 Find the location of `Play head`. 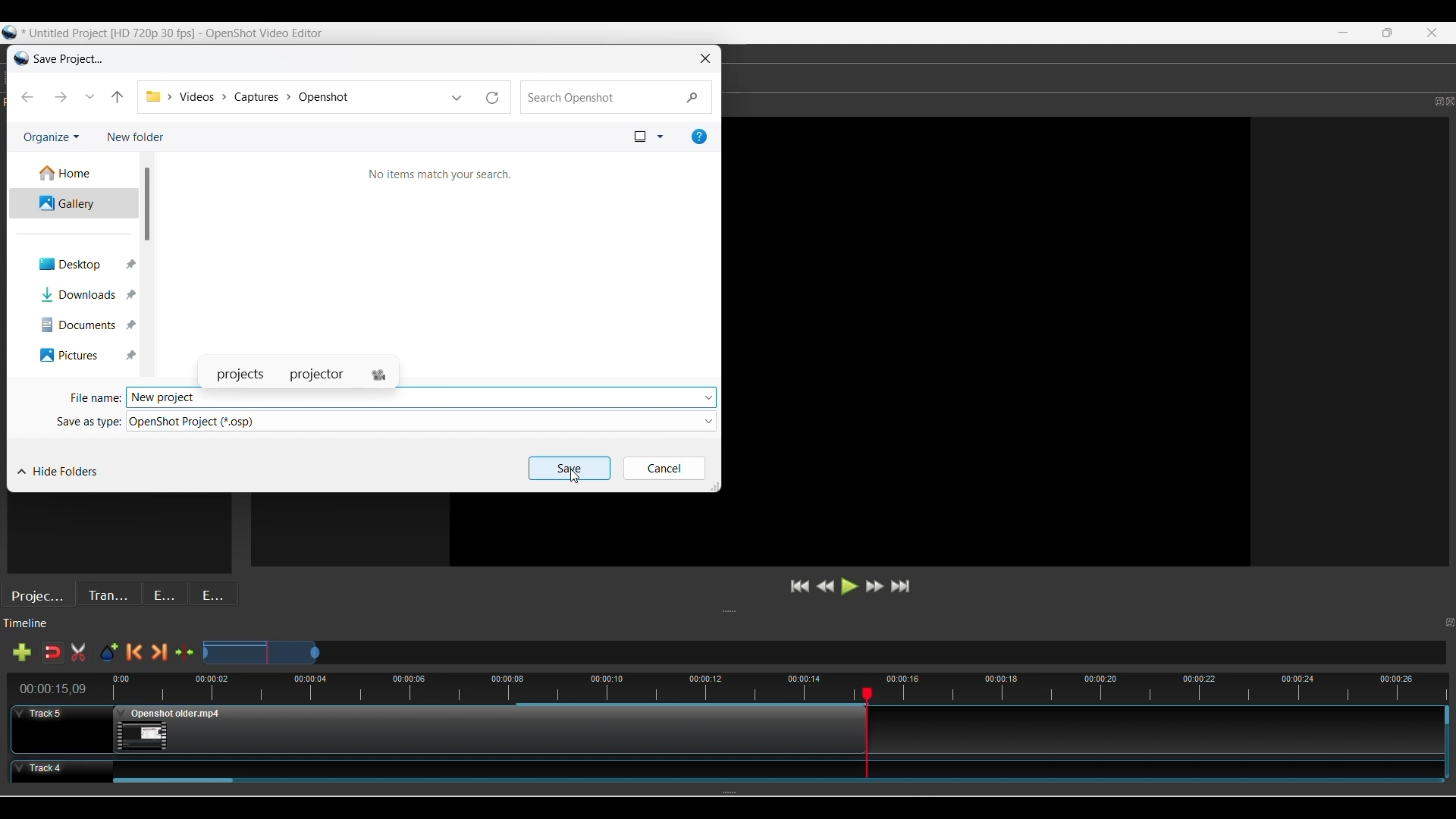

Play head is located at coordinates (868, 693).